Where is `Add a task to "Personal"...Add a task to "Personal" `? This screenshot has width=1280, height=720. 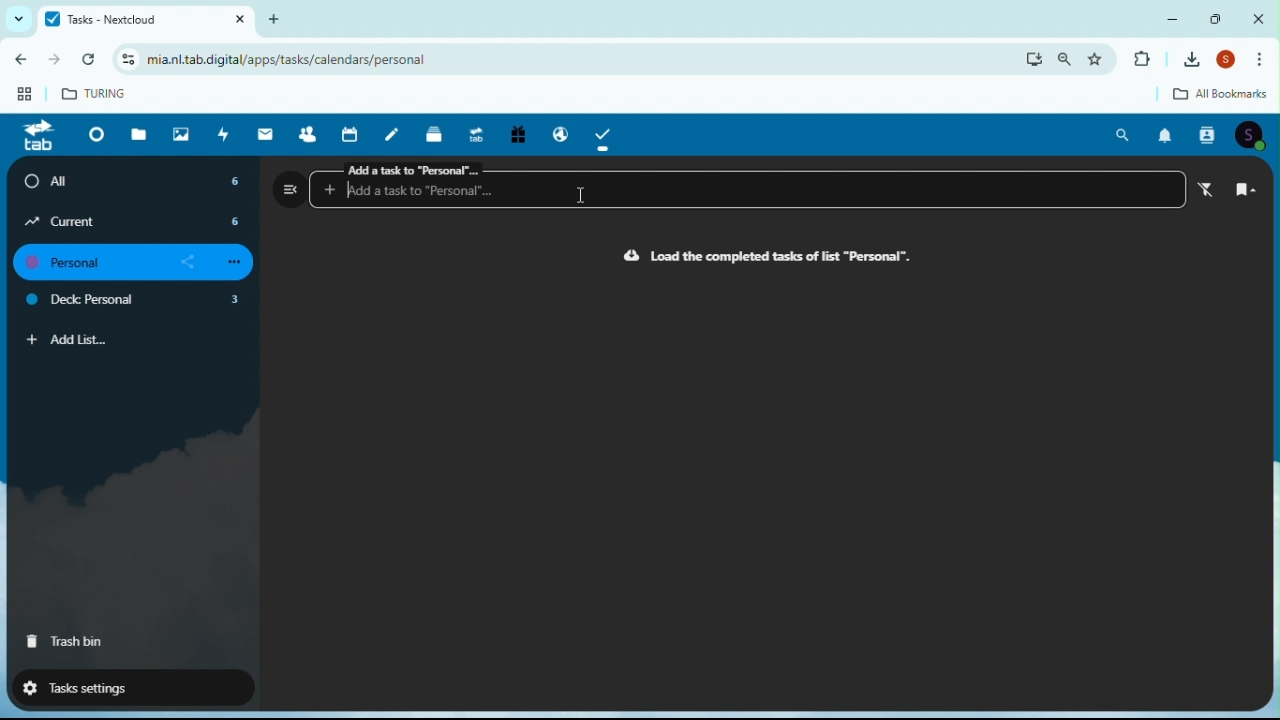 Add a task to "Personal"...Add a task to "Personal"  is located at coordinates (751, 184).